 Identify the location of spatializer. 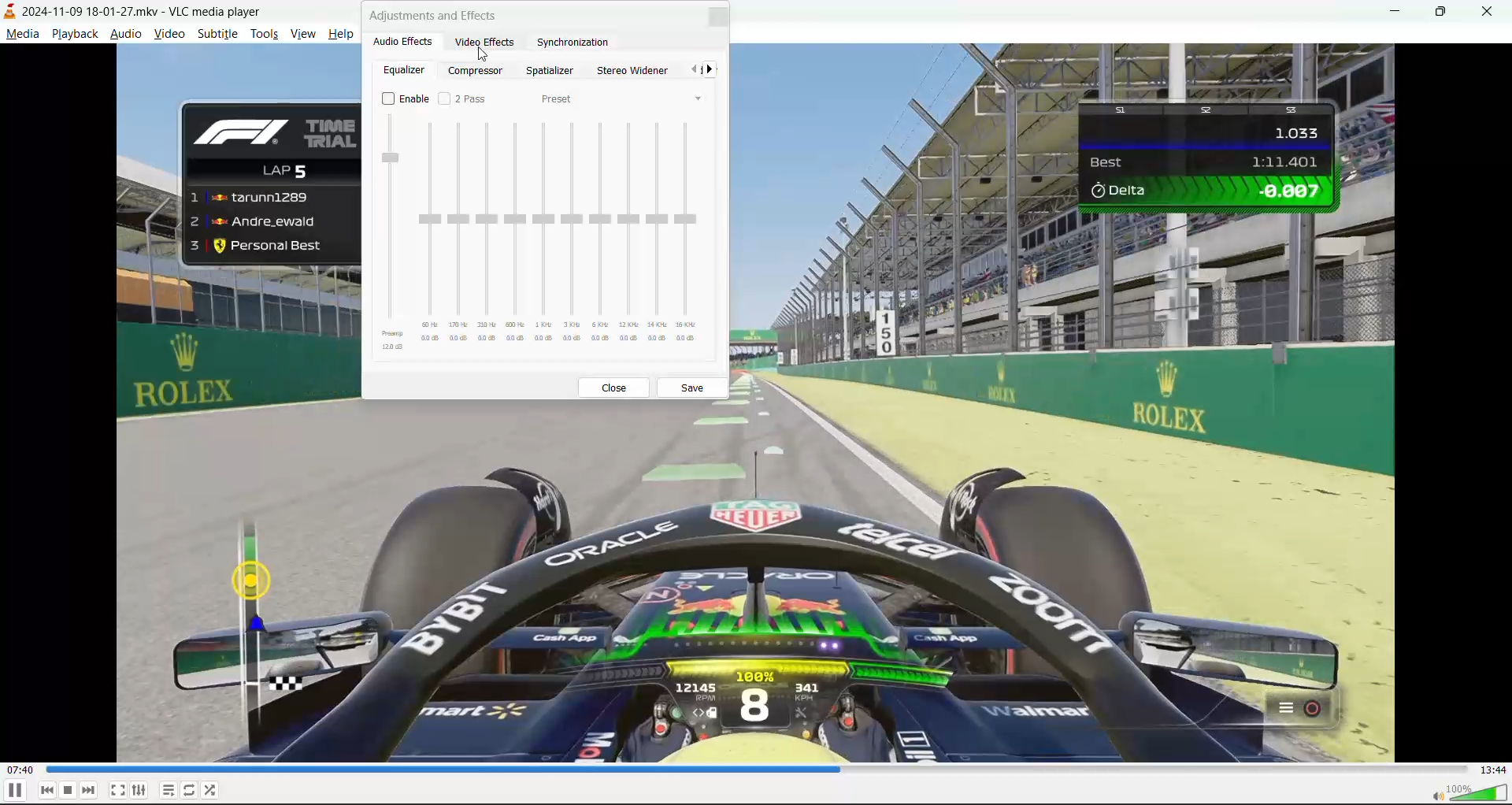
(551, 71).